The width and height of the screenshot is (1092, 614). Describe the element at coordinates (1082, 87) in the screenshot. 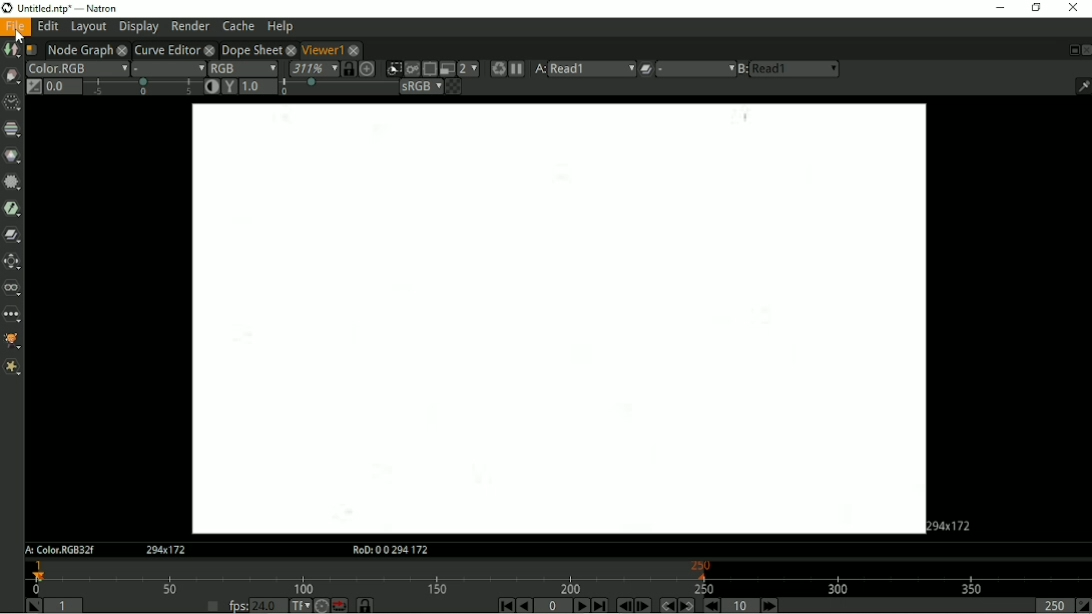

I see `Show/hide information bar` at that location.